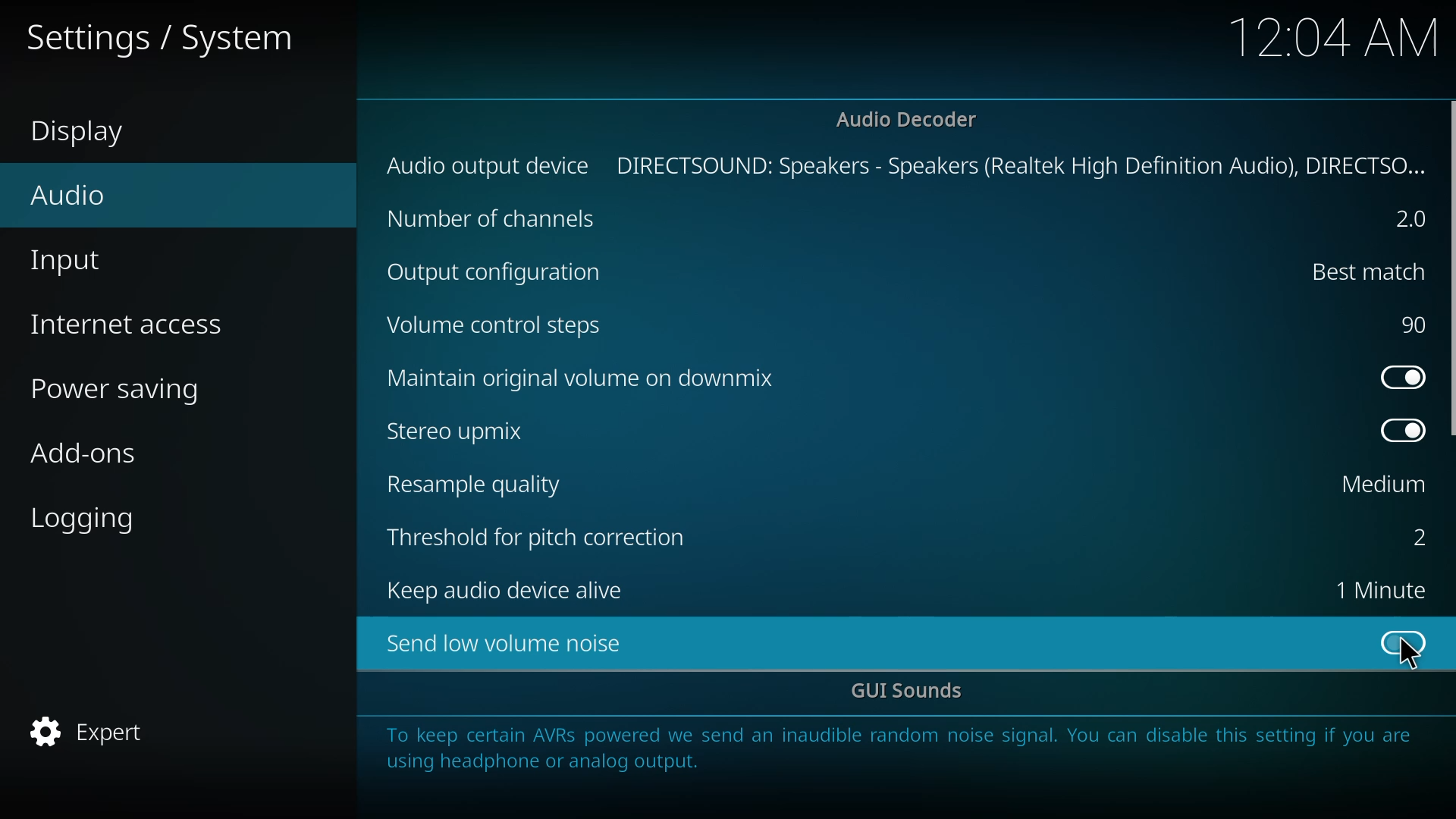 The image size is (1456, 819). I want to click on best match, so click(1366, 271).